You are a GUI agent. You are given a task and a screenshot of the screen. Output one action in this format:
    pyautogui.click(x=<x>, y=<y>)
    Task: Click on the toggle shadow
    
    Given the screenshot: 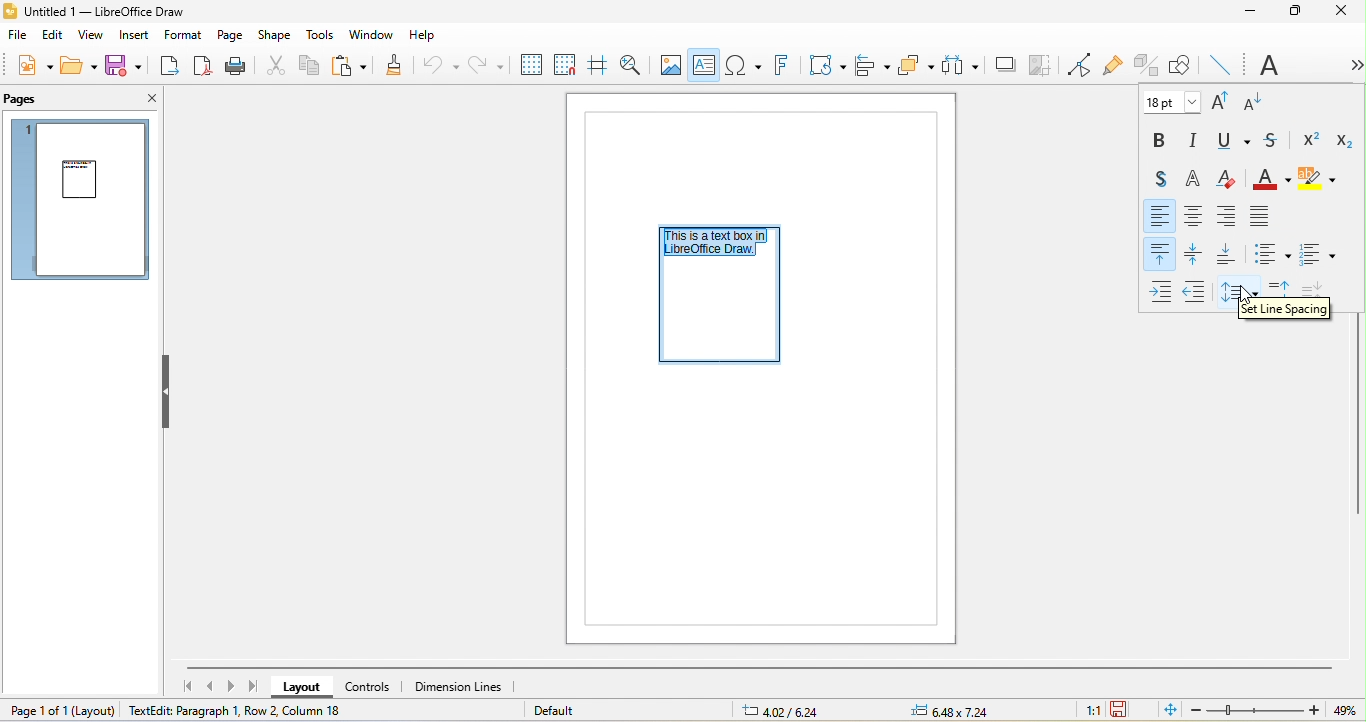 What is the action you would take?
    pyautogui.click(x=1156, y=176)
    